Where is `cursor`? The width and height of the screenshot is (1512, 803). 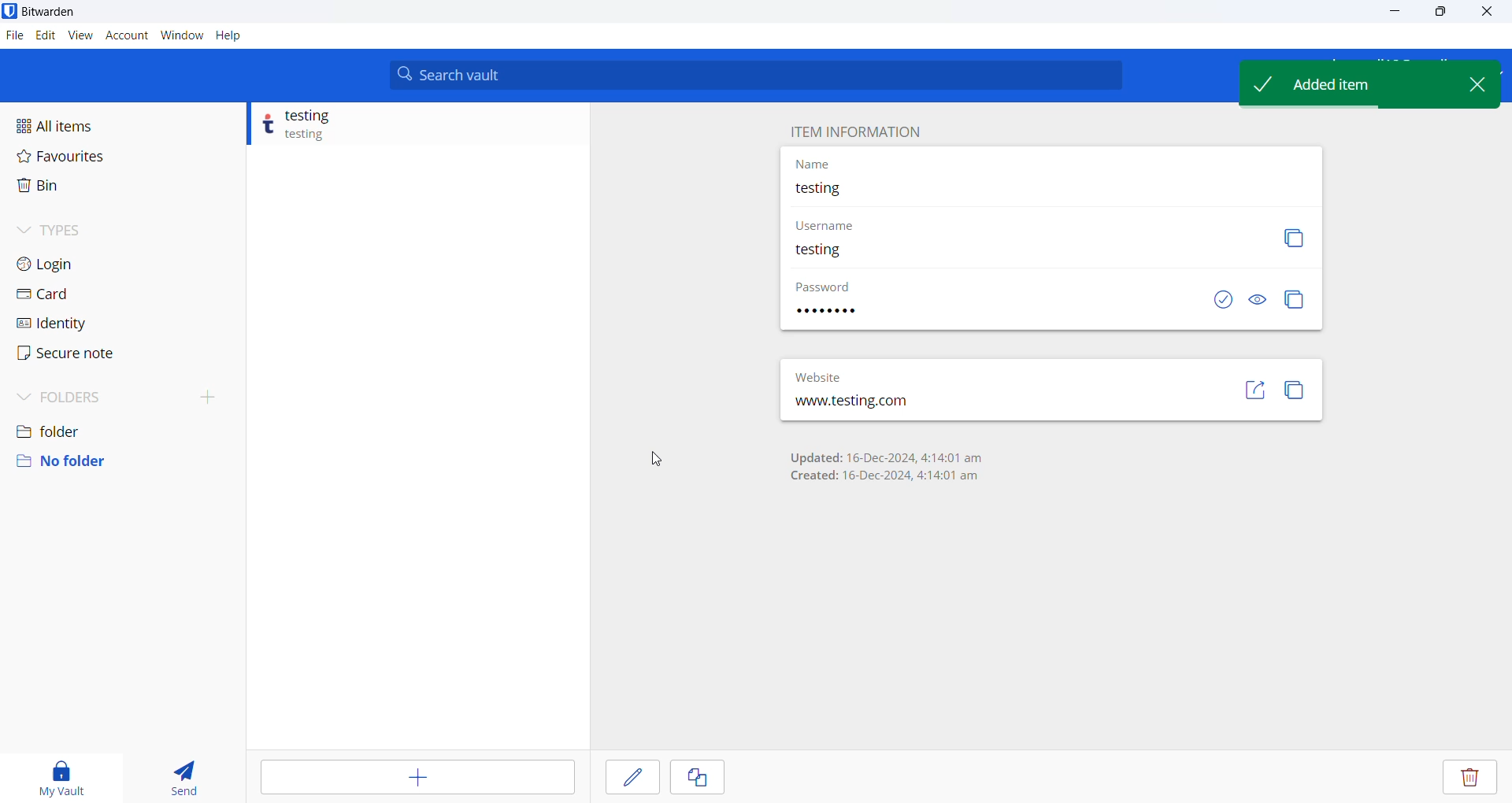
cursor is located at coordinates (656, 457).